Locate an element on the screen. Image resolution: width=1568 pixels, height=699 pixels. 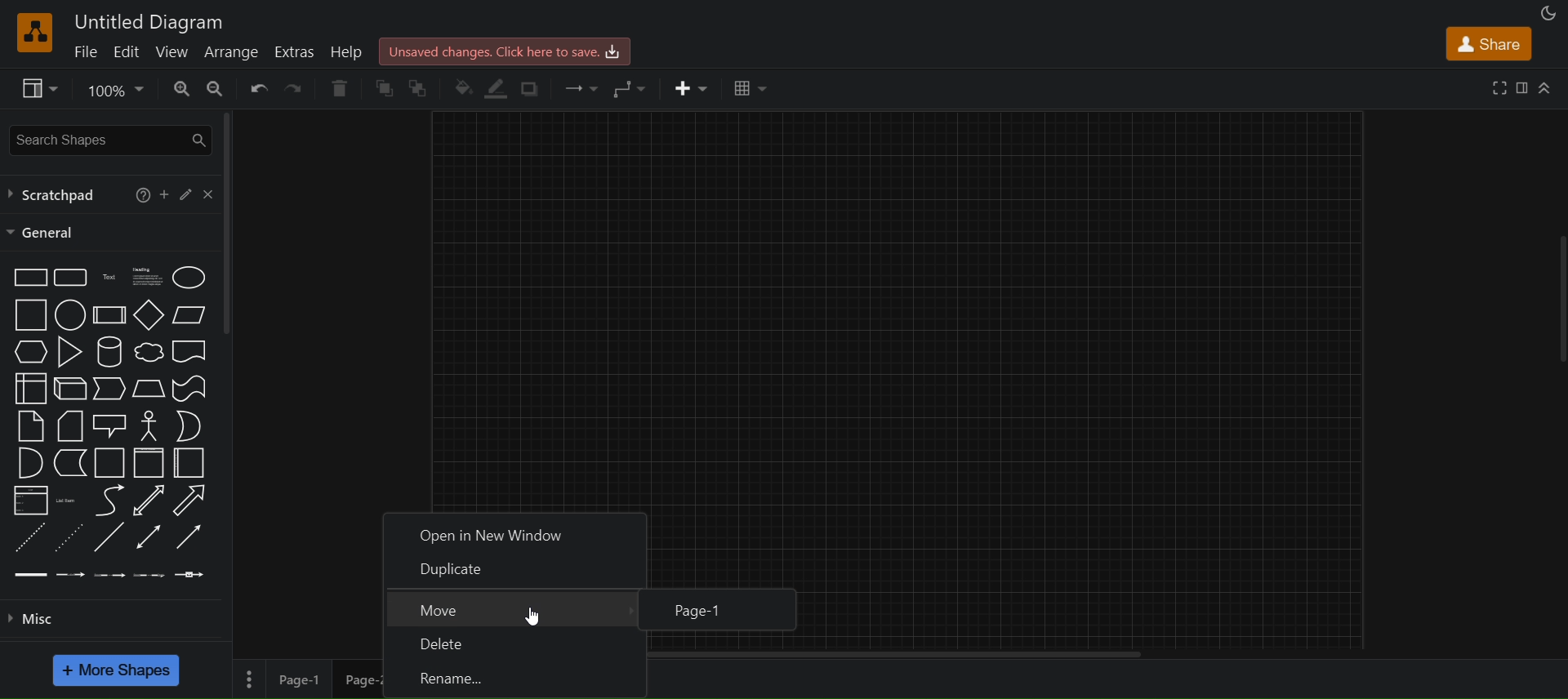
page options is located at coordinates (248, 678).